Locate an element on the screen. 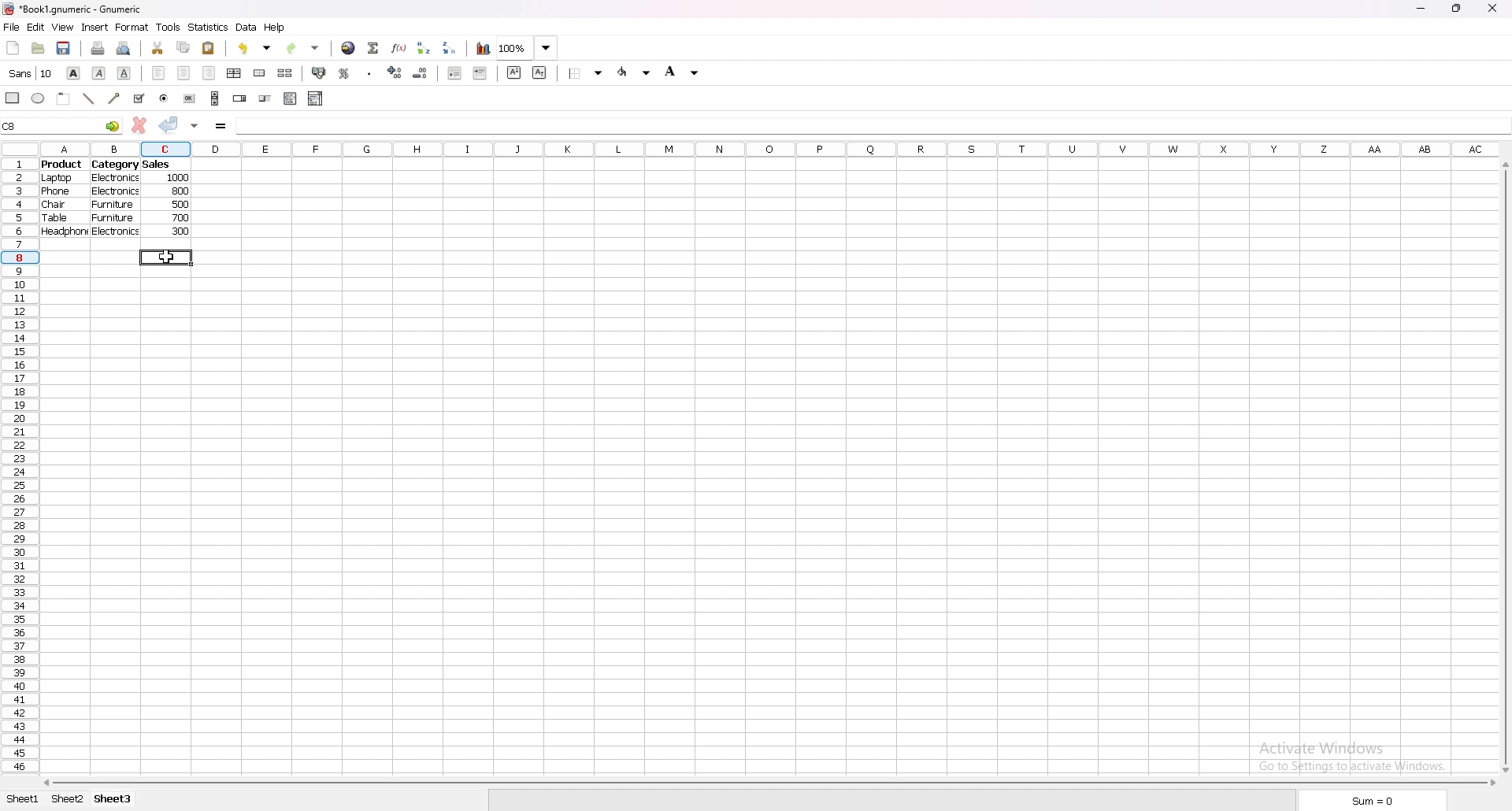  underline is located at coordinates (124, 73).